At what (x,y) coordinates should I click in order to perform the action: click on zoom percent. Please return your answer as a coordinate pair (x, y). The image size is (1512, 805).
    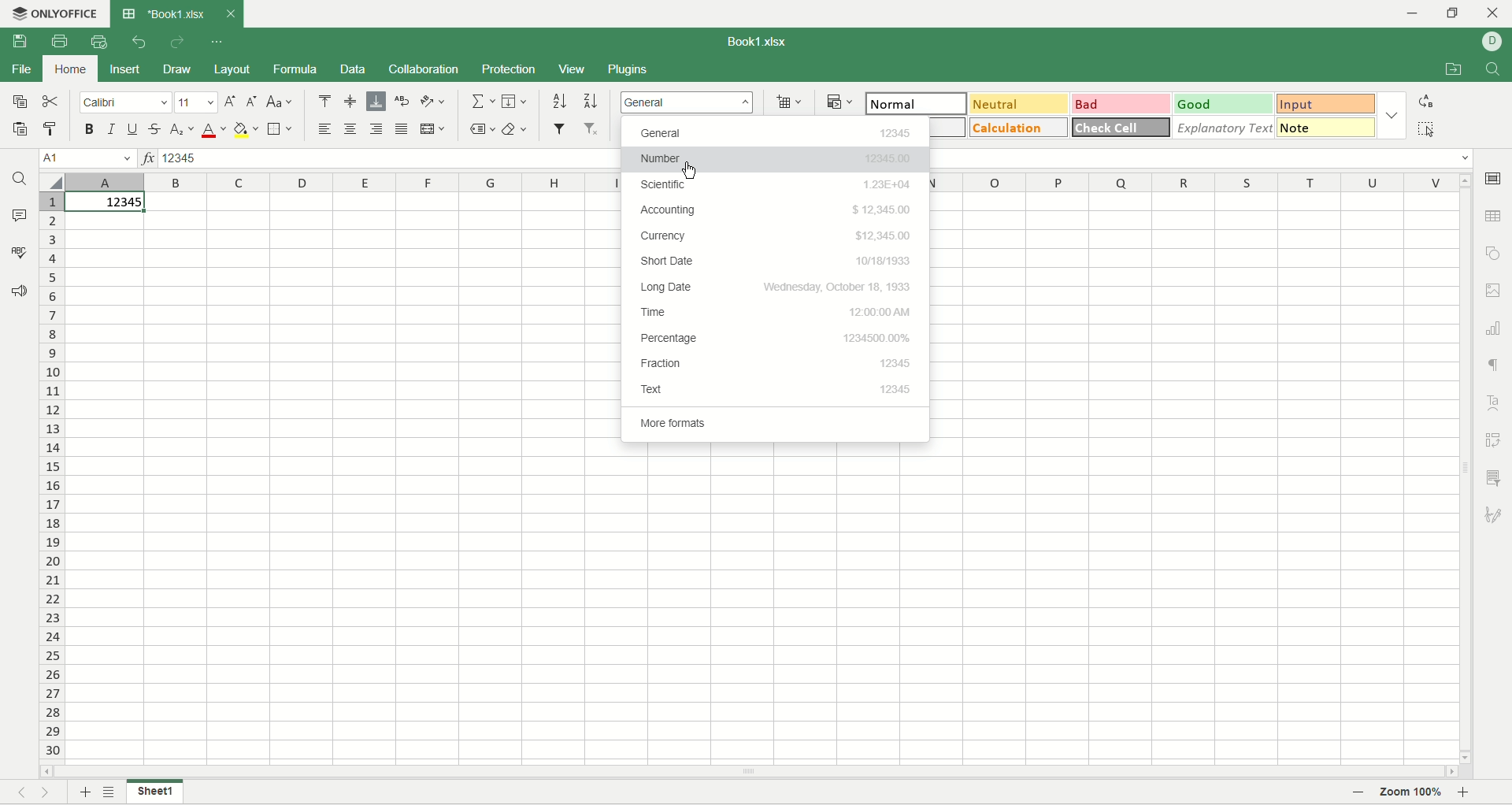
    Looking at the image, I should click on (1409, 793).